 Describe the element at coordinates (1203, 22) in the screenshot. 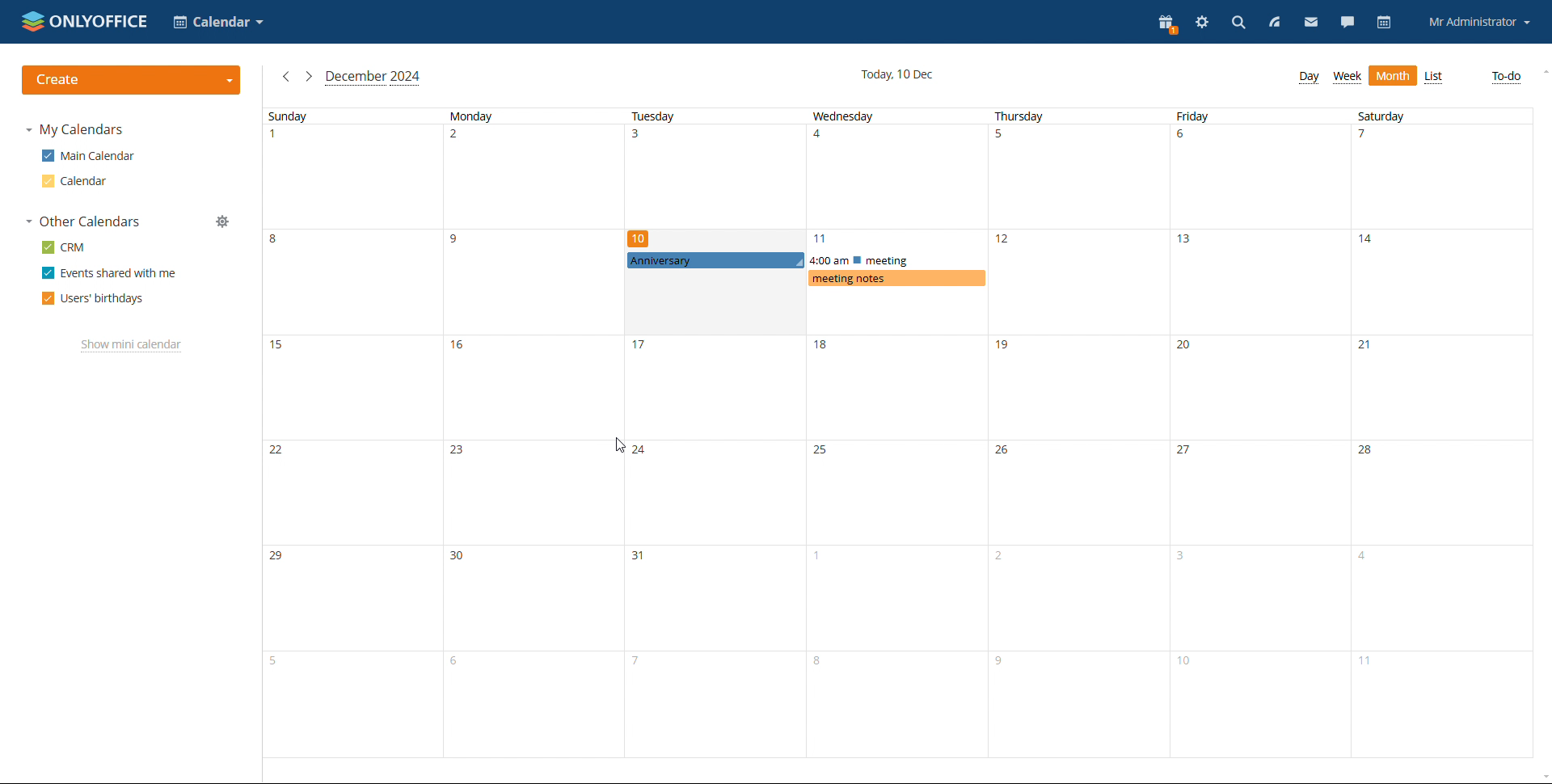

I see `settings` at that location.